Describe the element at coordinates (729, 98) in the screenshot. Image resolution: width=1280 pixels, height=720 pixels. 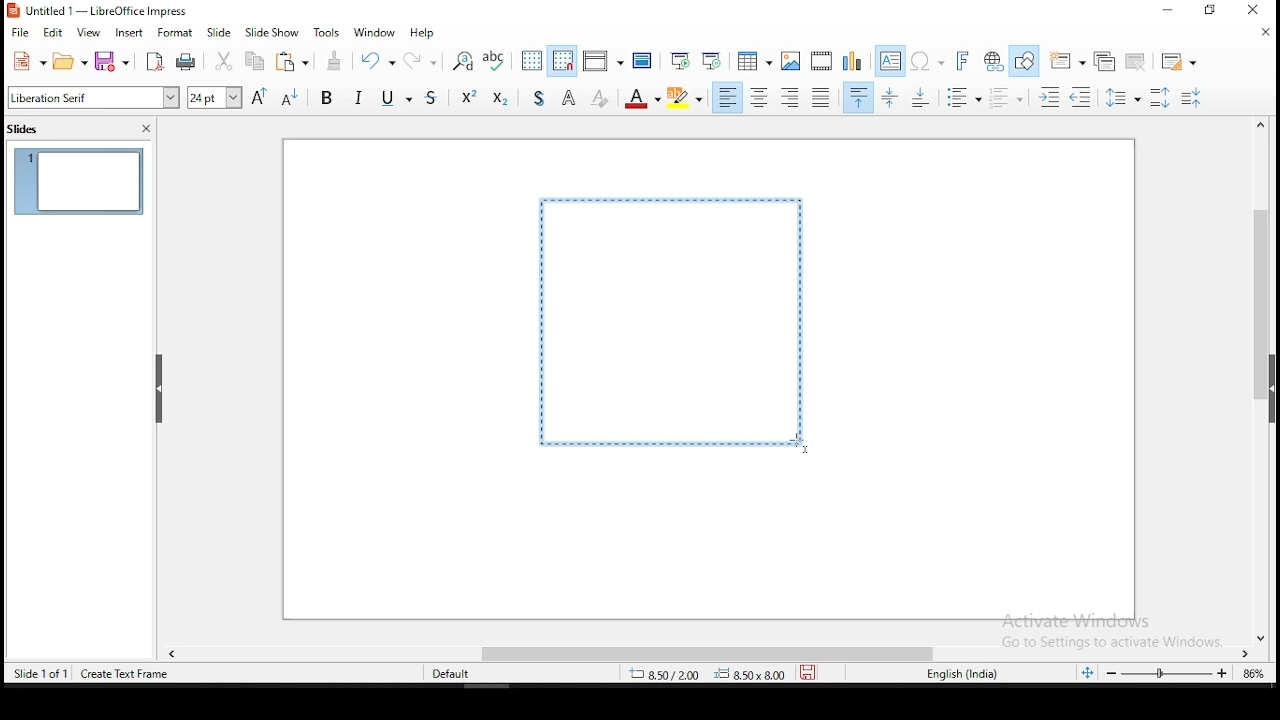
I see `align left` at that location.